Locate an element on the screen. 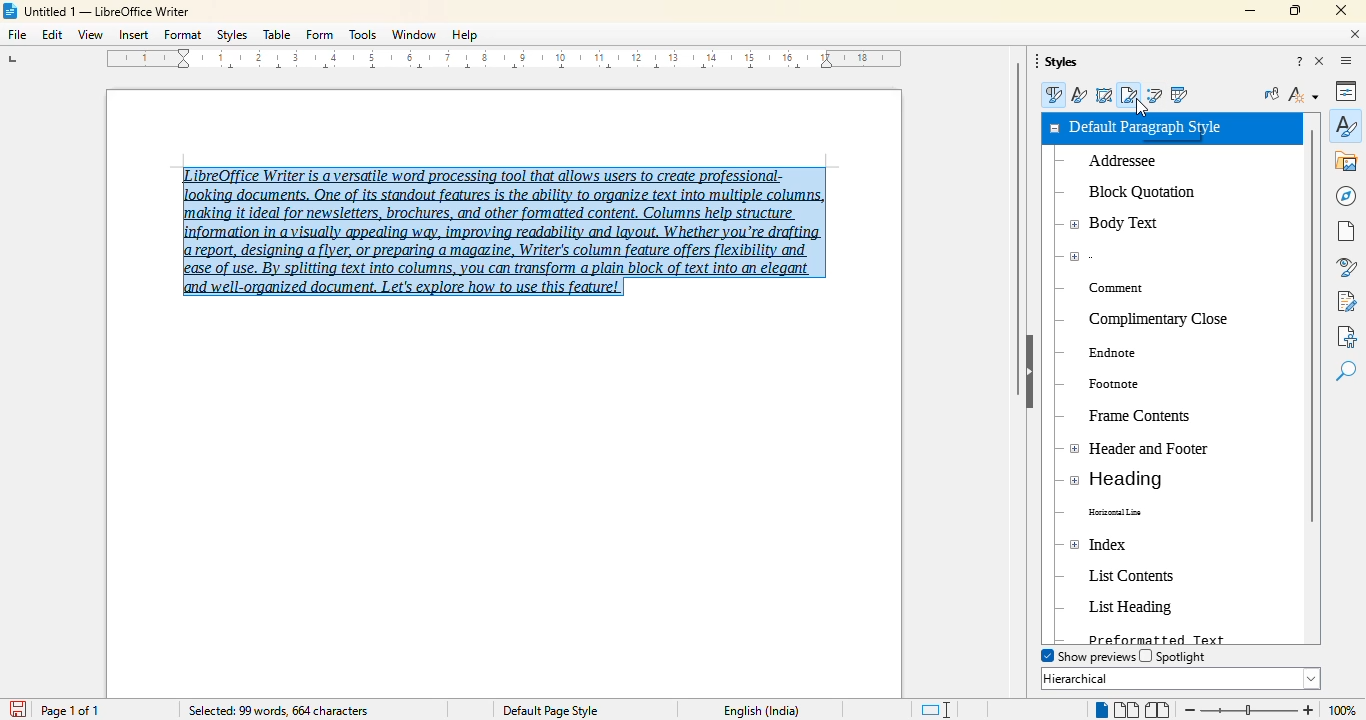 The image size is (1366, 720). view is located at coordinates (90, 34).